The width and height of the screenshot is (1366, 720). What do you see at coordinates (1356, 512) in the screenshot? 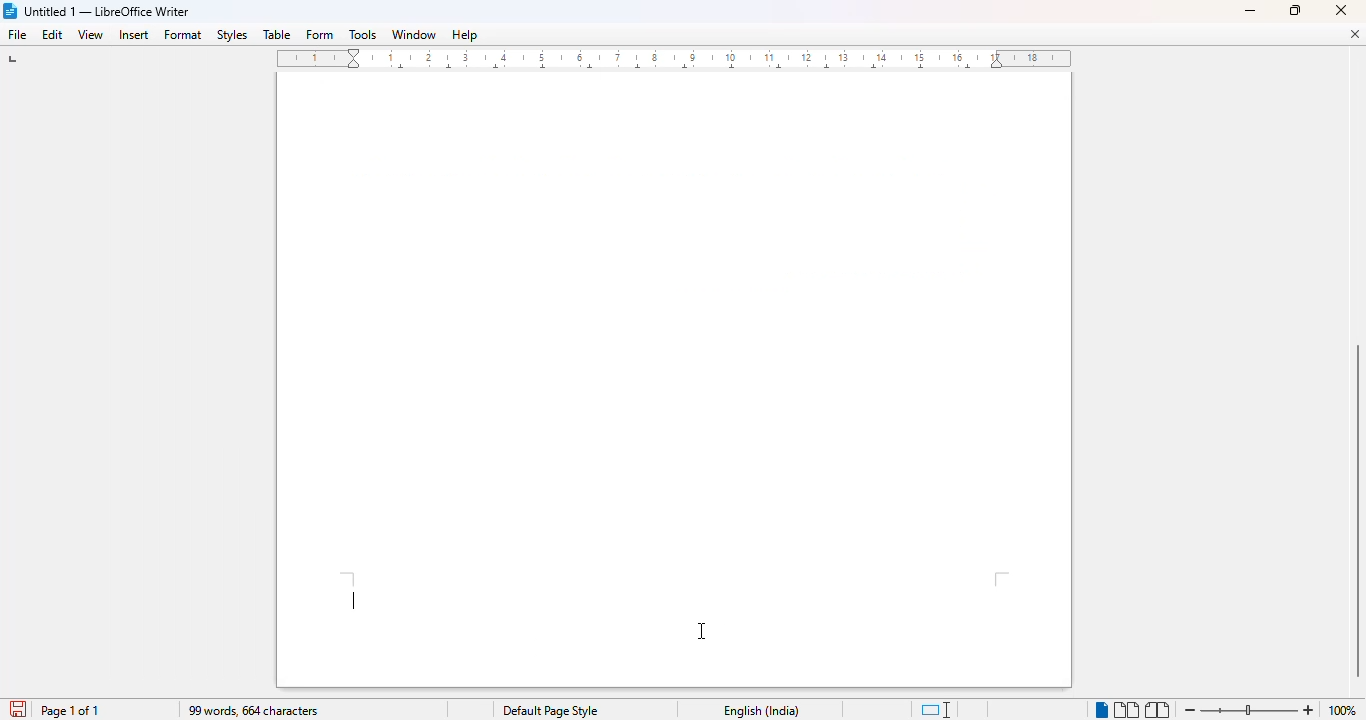
I see `vertical scroll bar` at bounding box center [1356, 512].